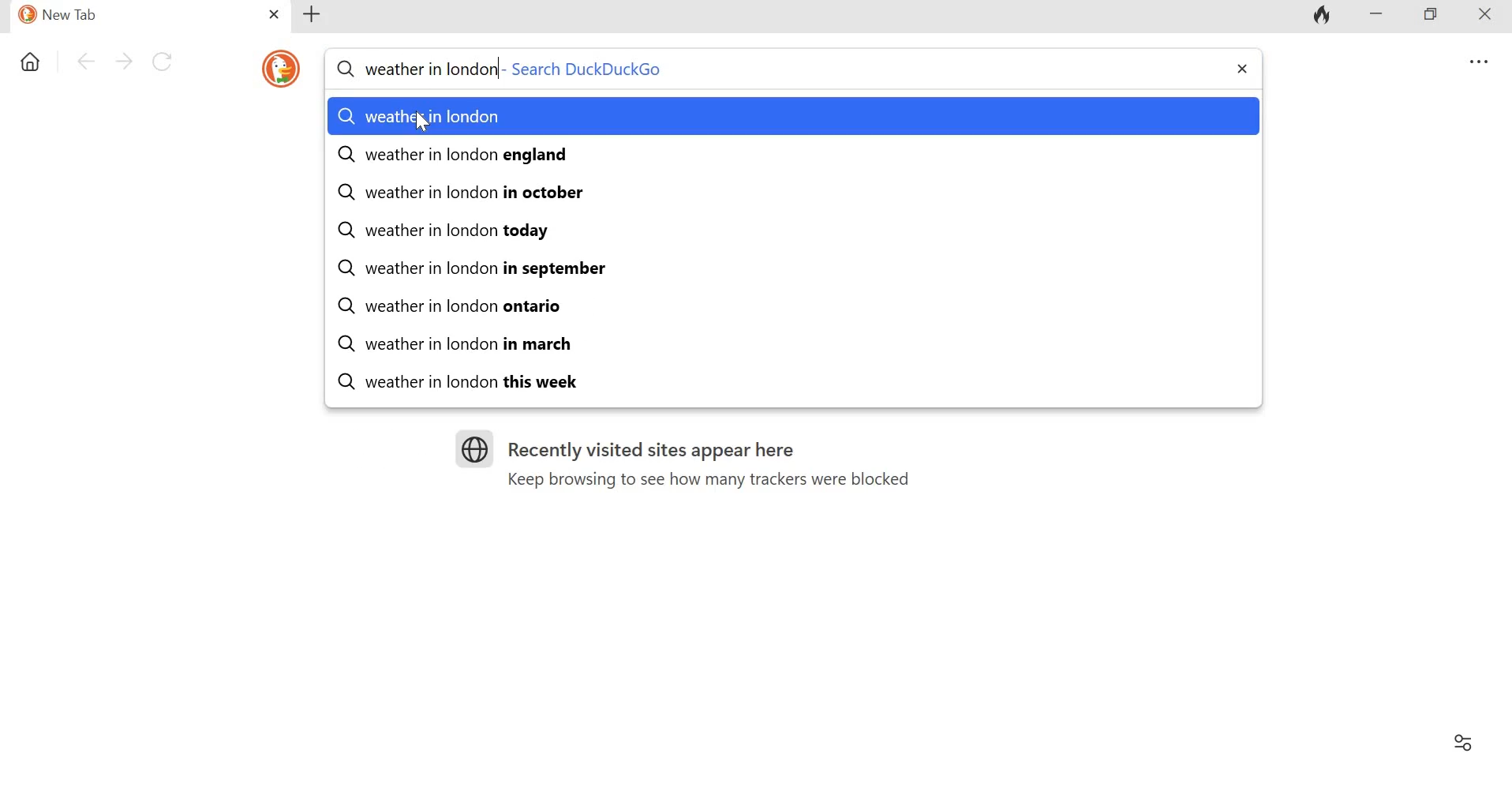 The image size is (1512, 791). Describe the element at coordinates (1319, 14) in the screenshot. I see `Fire icon` at that location.